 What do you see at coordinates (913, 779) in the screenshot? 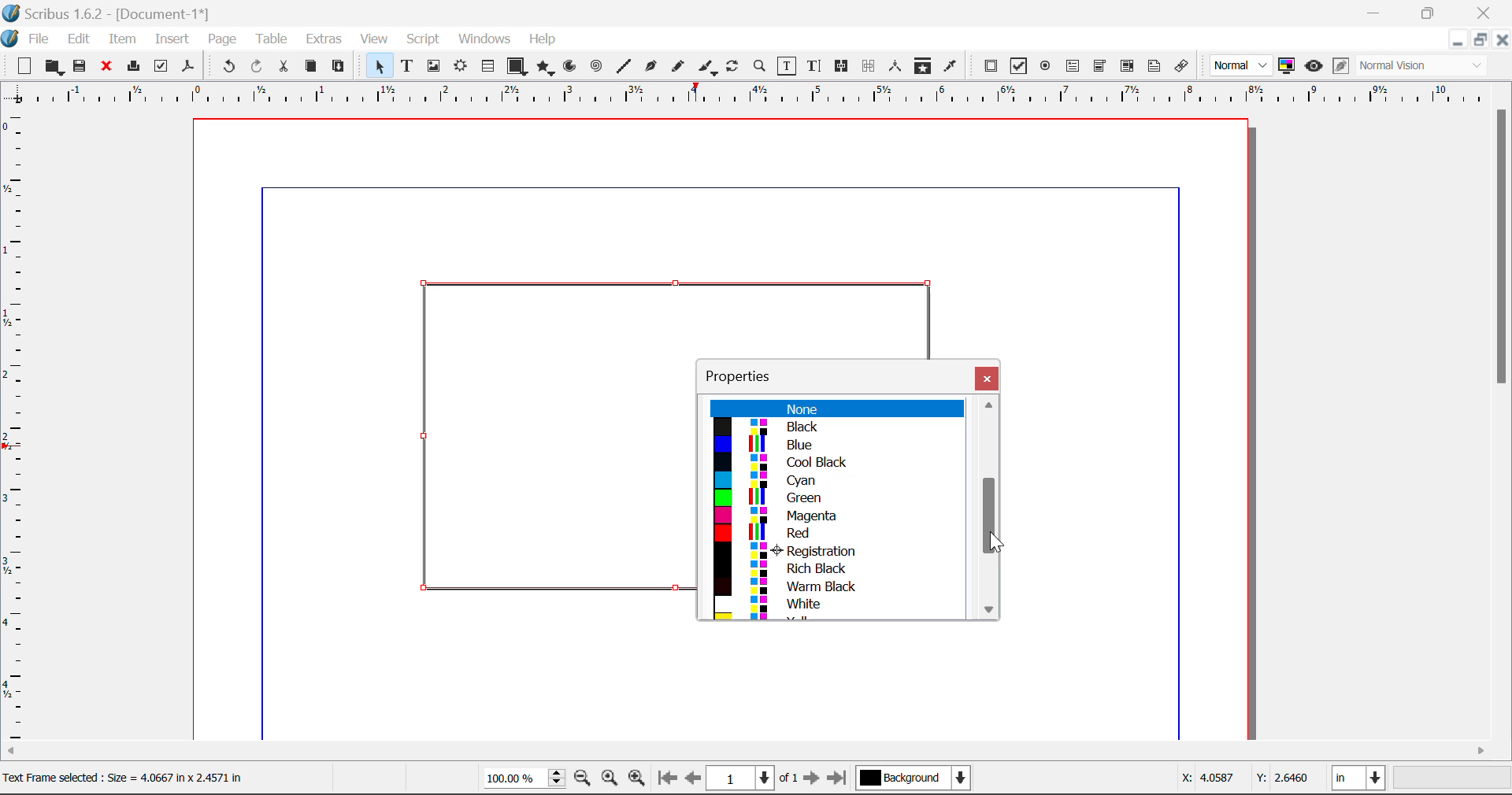
I see `Background` at bounding box center [913, 779].